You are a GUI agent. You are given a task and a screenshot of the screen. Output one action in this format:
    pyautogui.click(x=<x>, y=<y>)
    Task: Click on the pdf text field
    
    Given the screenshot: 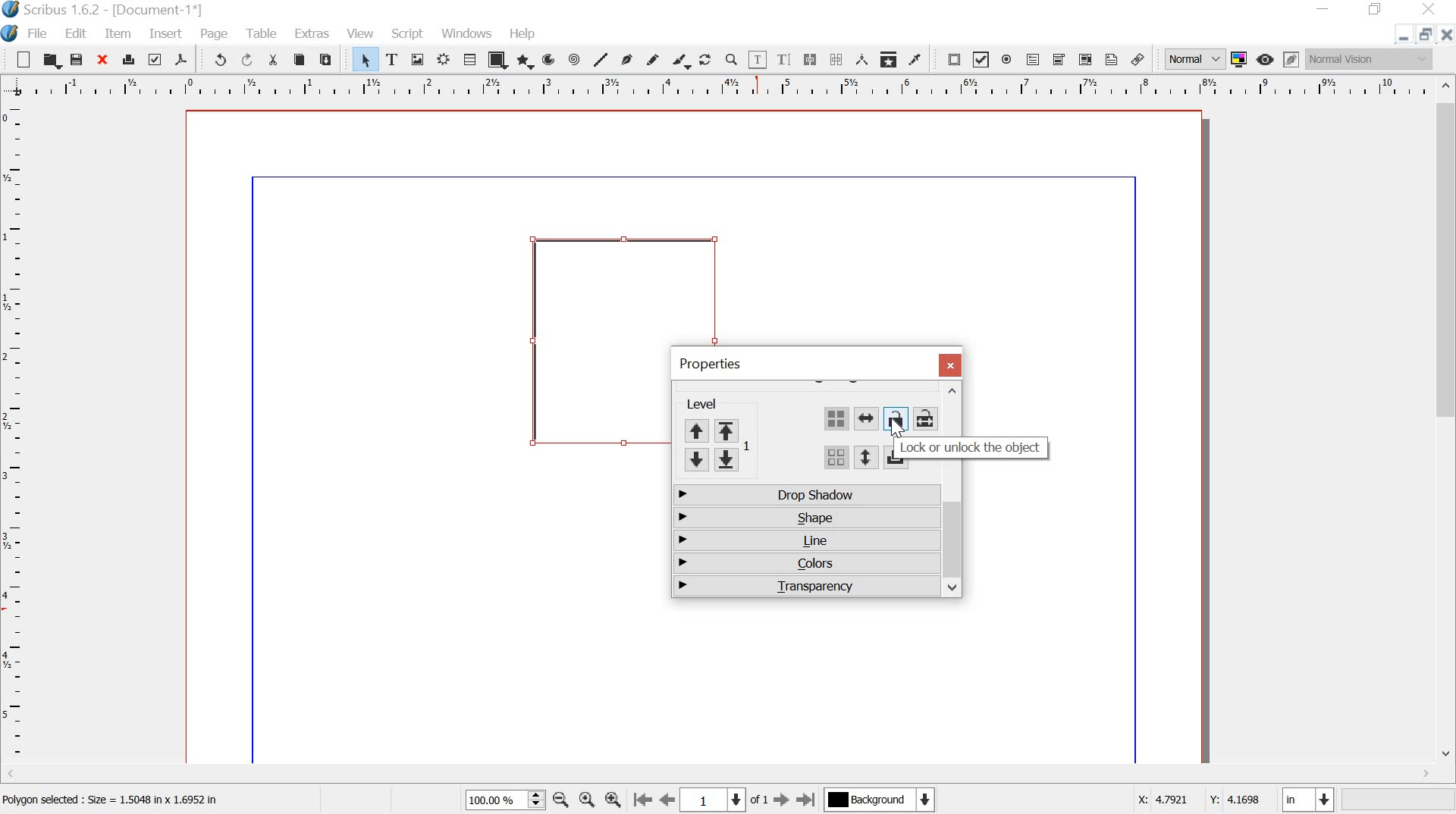 What is the action you would take?
    pyautogui.click(x=1034, y=59)
    